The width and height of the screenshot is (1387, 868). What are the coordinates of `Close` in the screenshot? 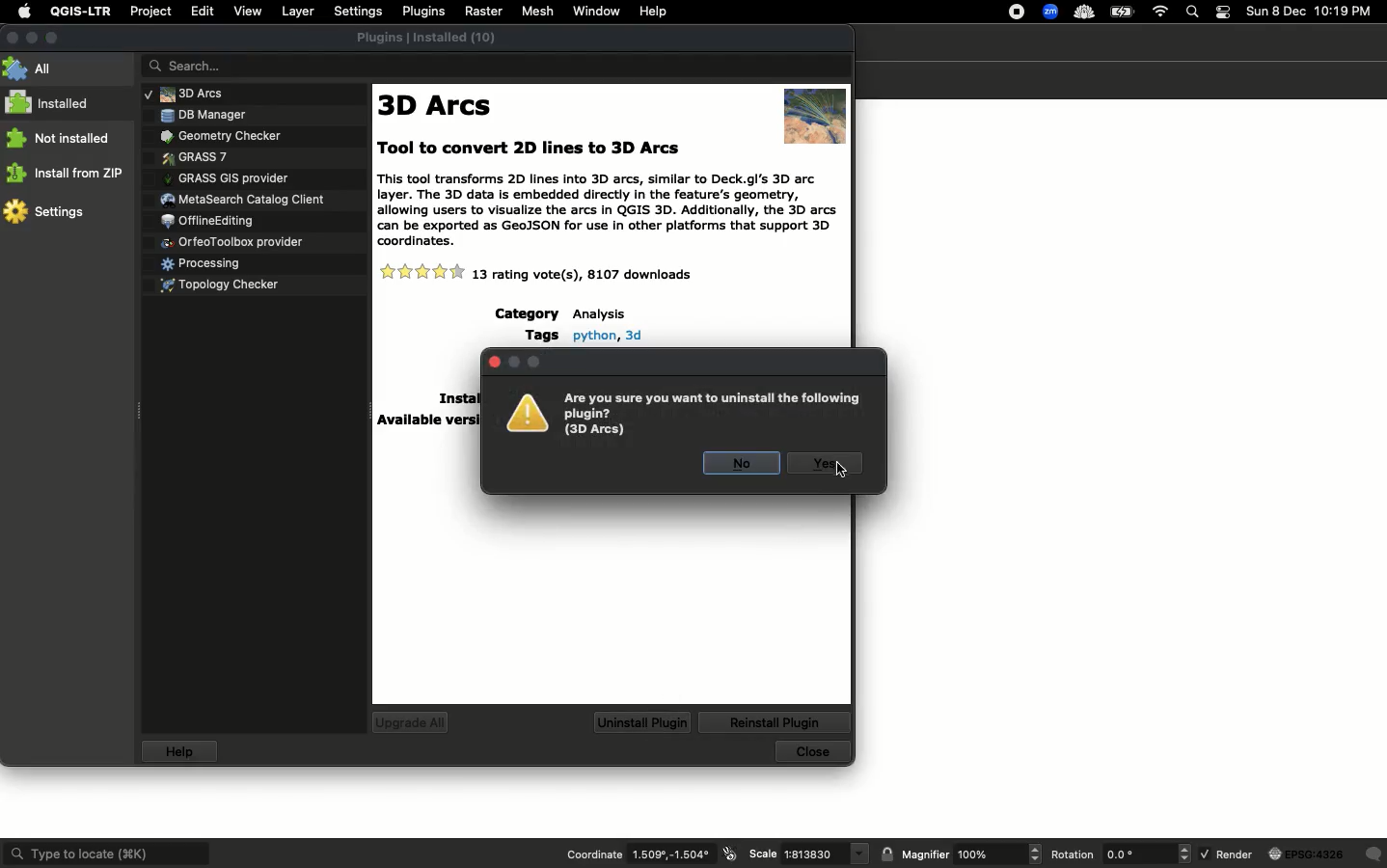 It's located at (810, 753).